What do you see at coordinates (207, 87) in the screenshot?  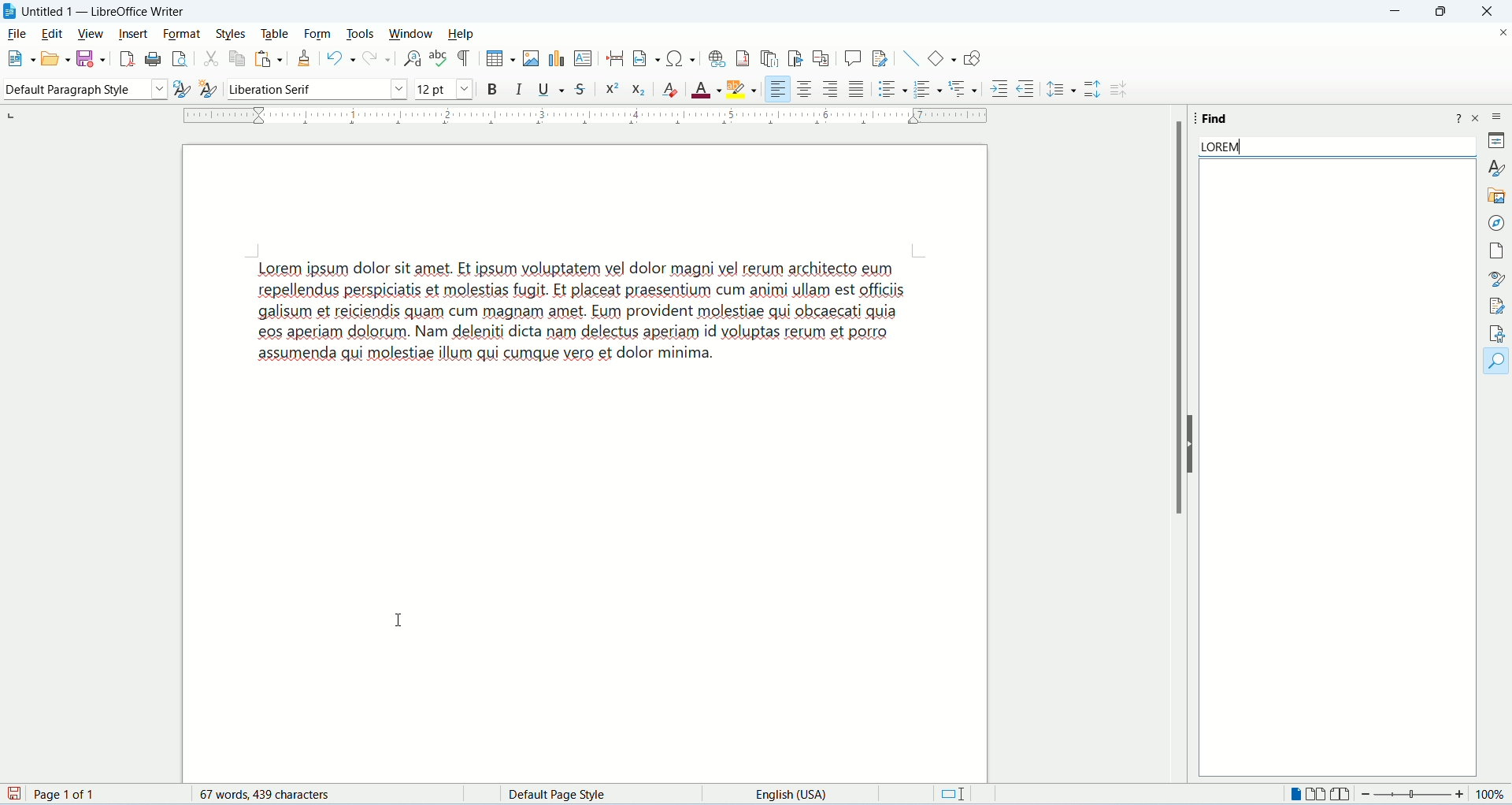 I see `select new style` at bounding box center [207, 87].